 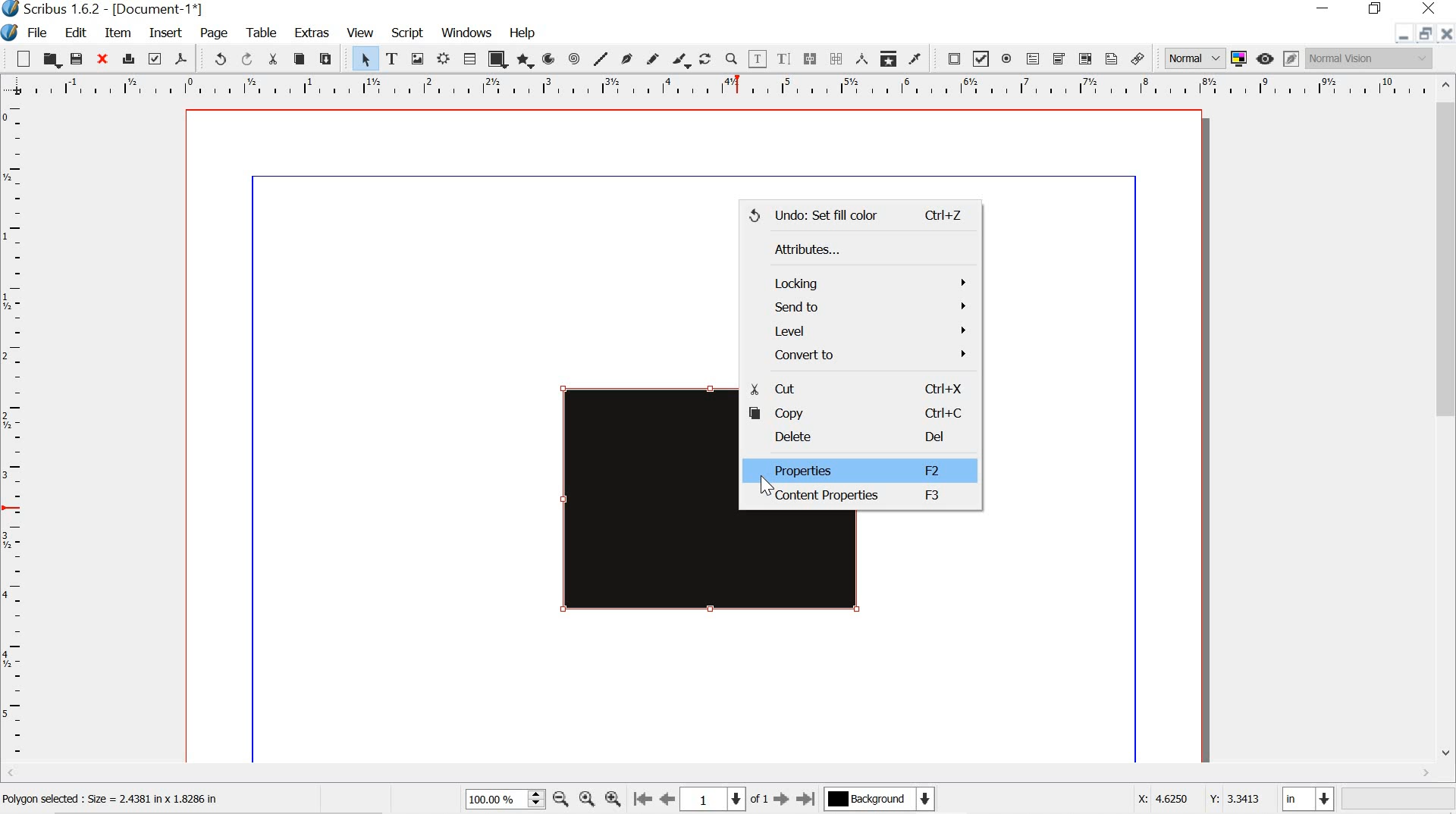 What do you see at coordinates (855, 388) in the screenshot?
I see `cut` at bounding box center [855, 388].